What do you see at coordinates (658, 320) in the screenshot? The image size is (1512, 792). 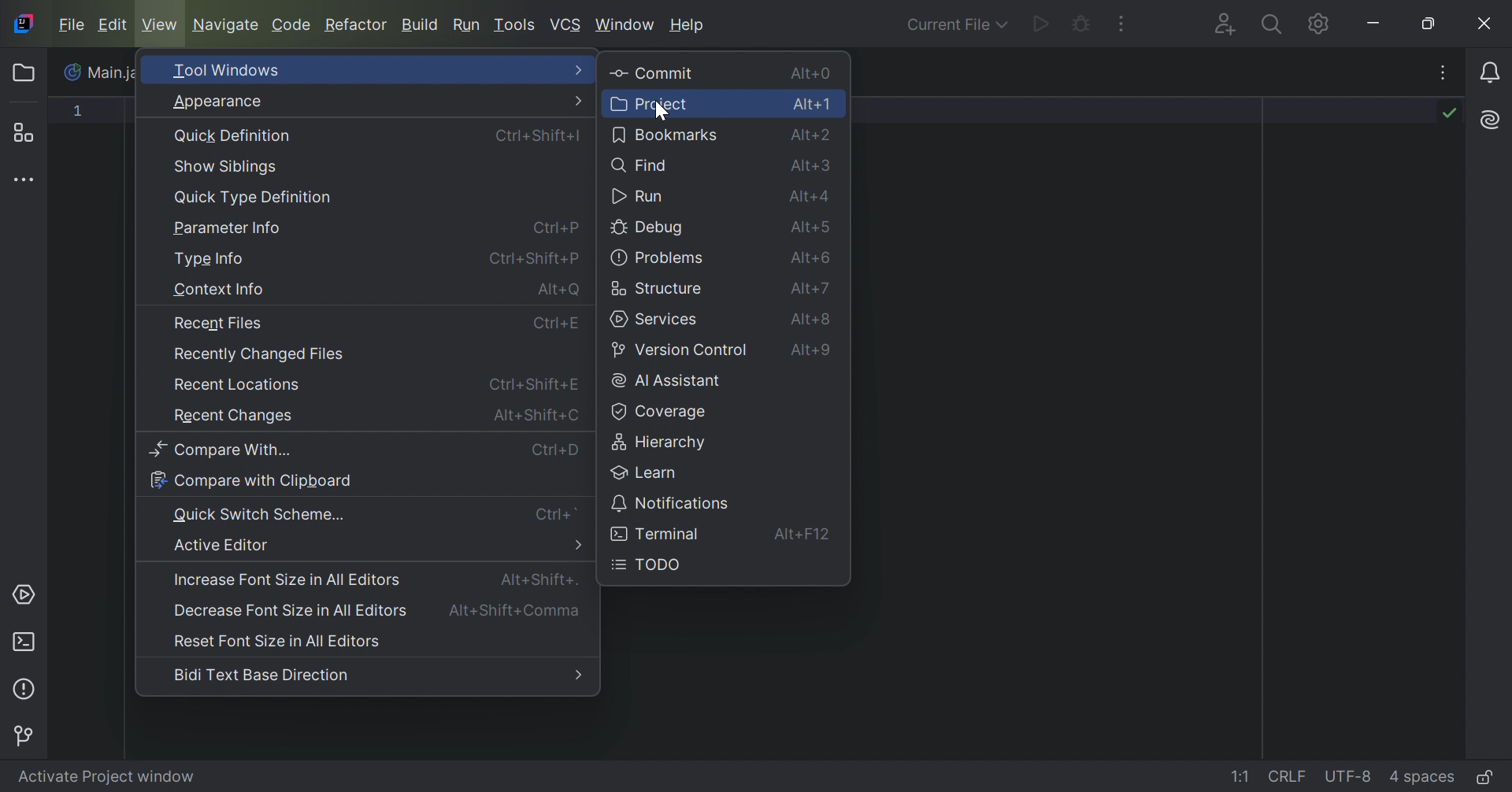 I see `Services` at bounding box center [658, 320].